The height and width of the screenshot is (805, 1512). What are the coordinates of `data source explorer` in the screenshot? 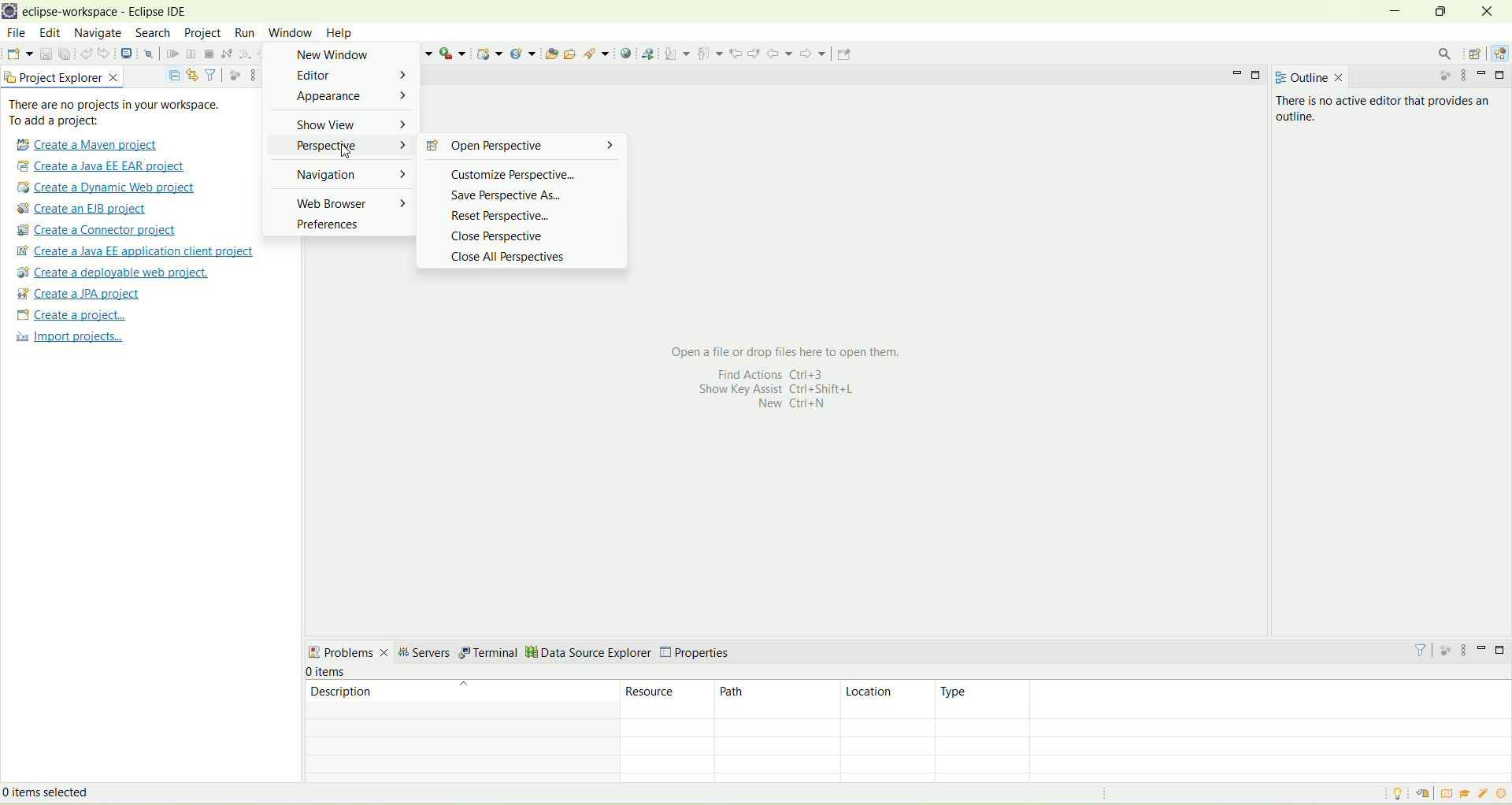 It's located at (588, 651).